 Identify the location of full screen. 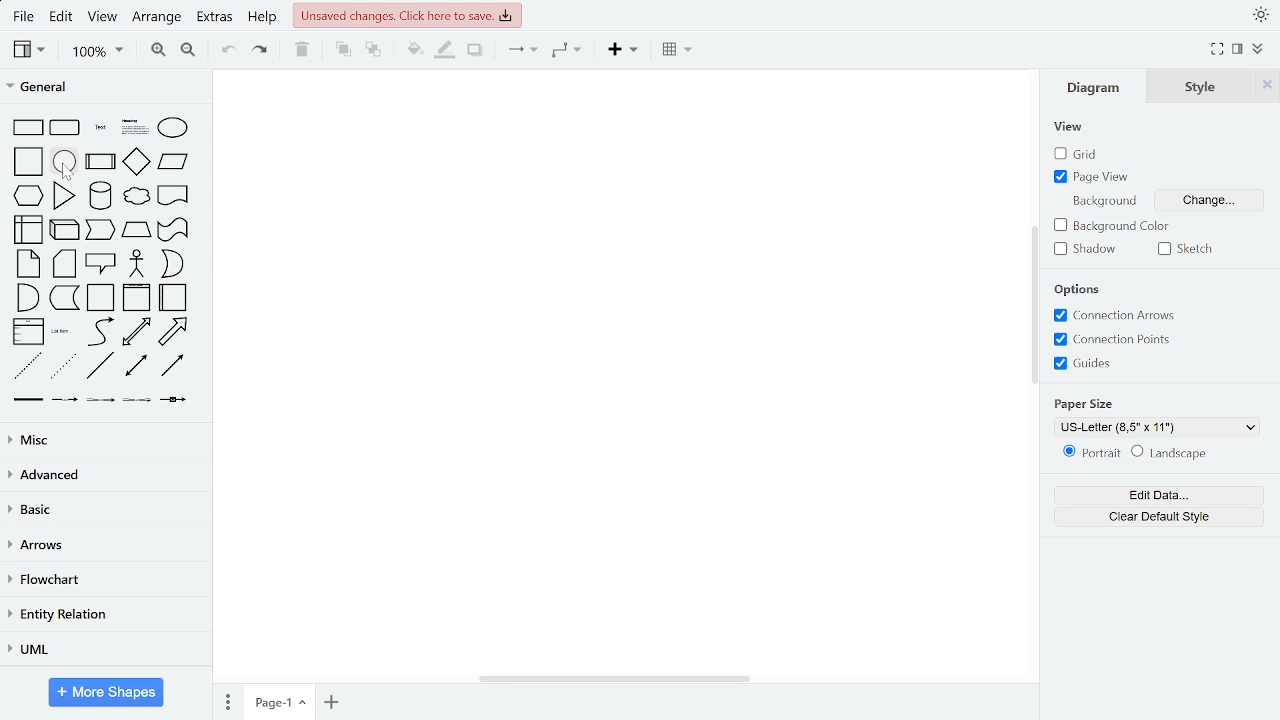
(1216, 48).